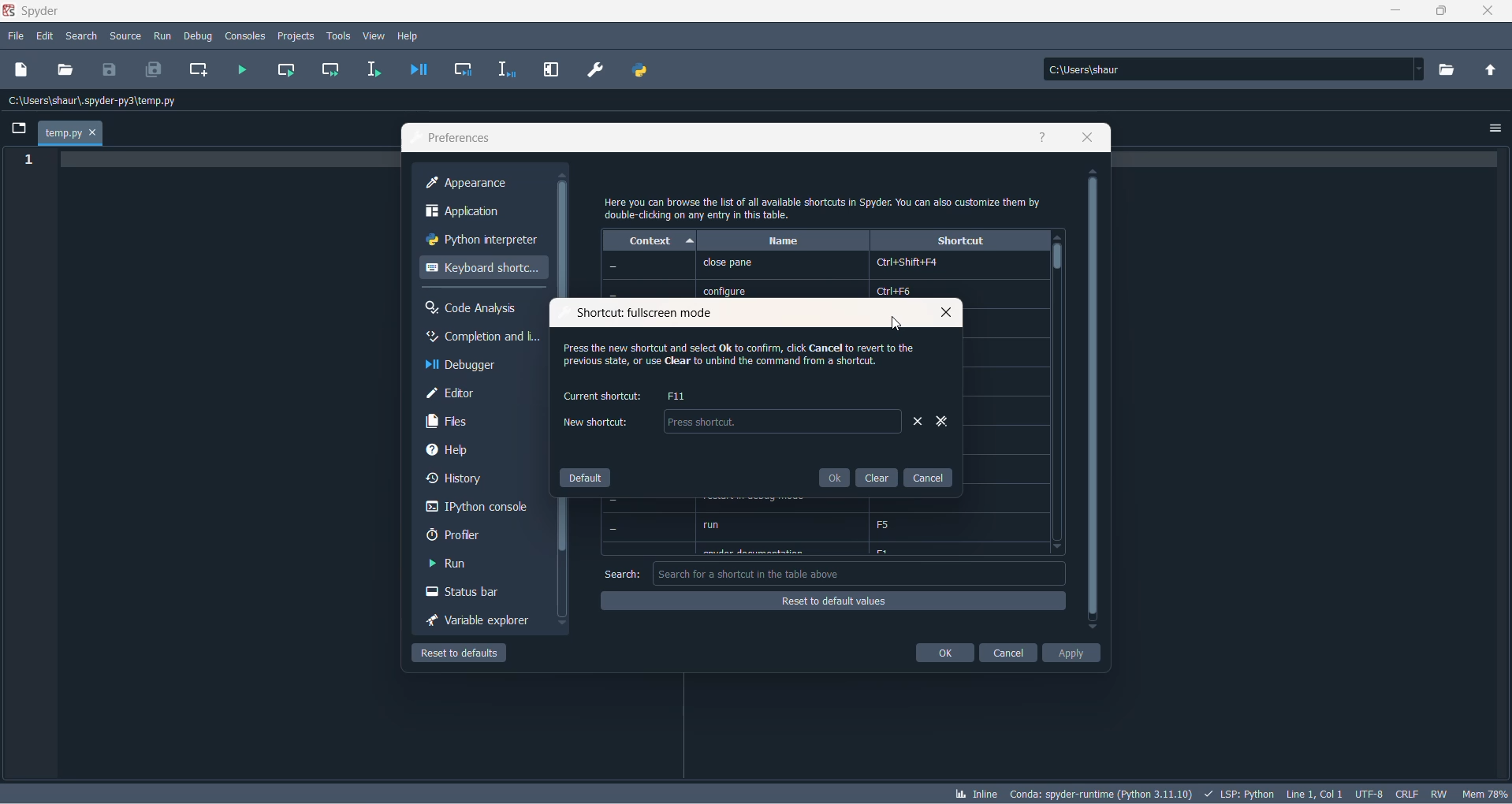  What do you see at coordinates (125, 38) in the screenshot?
I see `source` at bounding box center [125, 38].